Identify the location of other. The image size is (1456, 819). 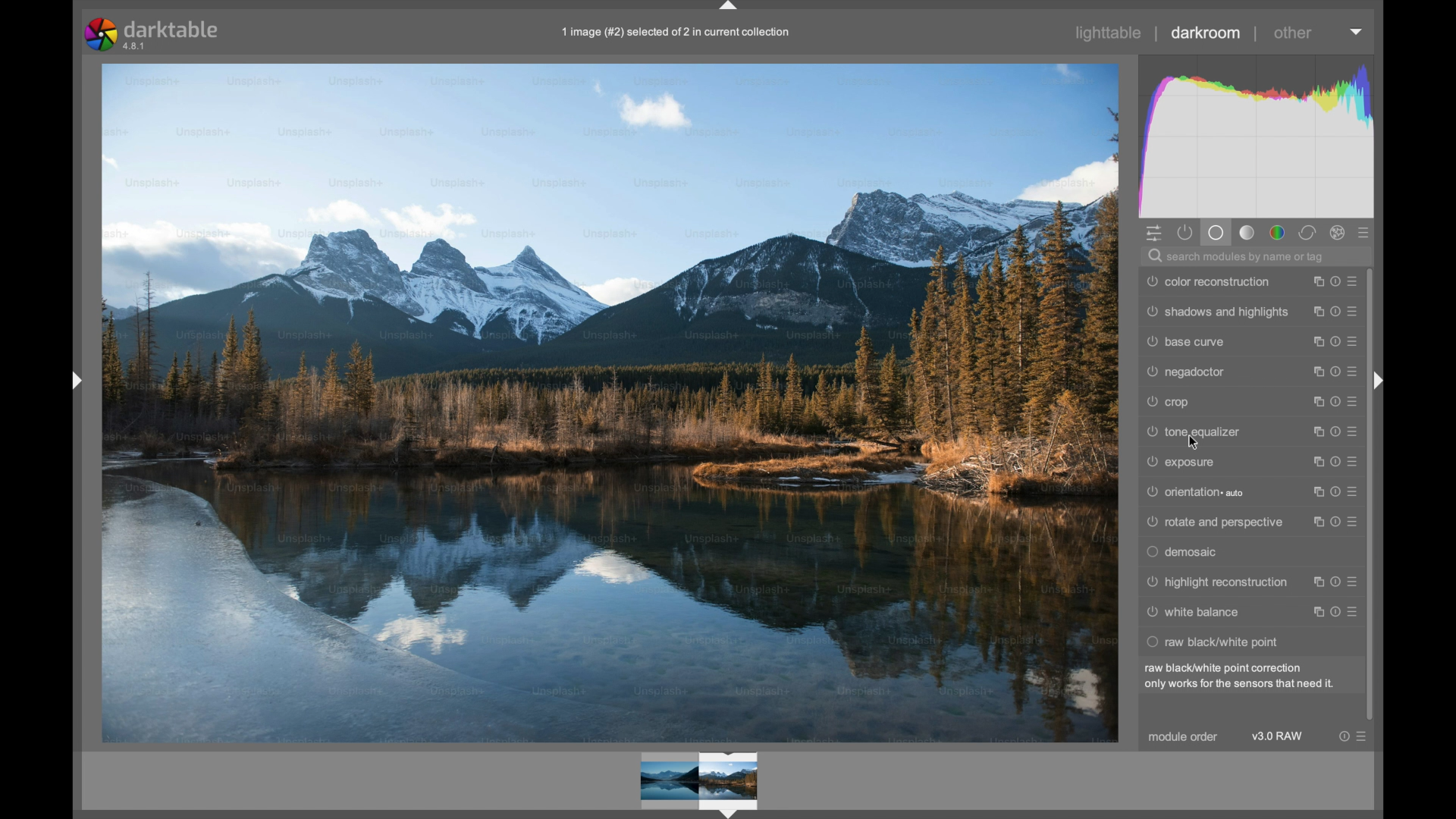
(1294, 33).